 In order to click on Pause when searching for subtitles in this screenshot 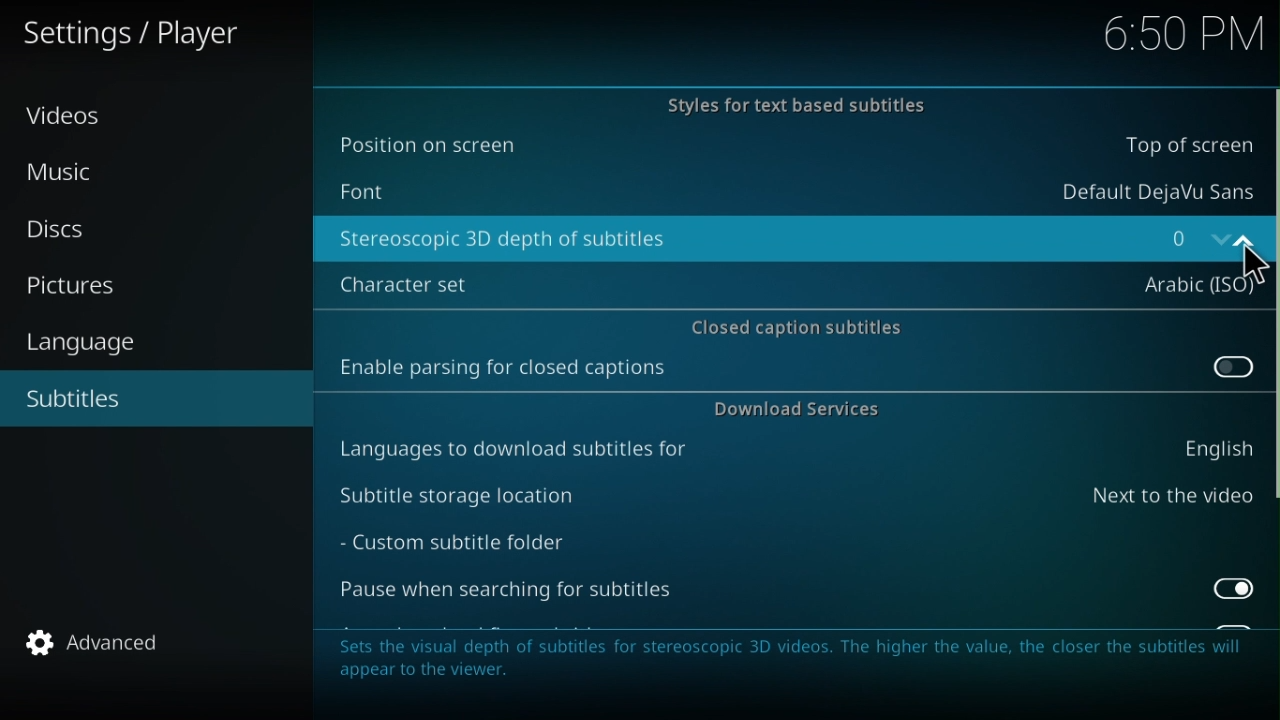, I will do `click(799, 594)`.